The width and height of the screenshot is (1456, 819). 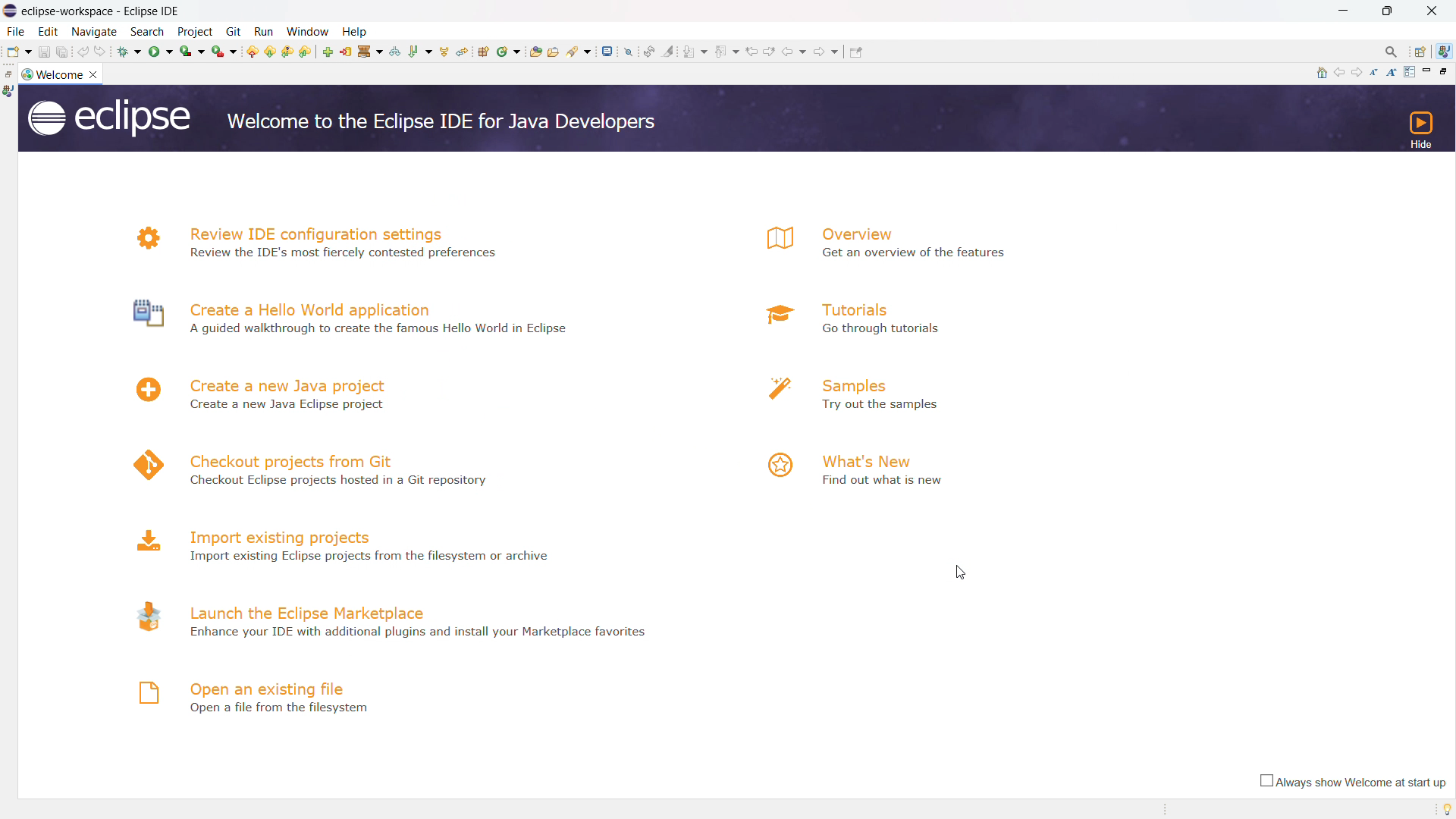 What do you see at coordinates (854, 309) in the screenshot?
I see `tutorials` at bounding box center [854, 309].